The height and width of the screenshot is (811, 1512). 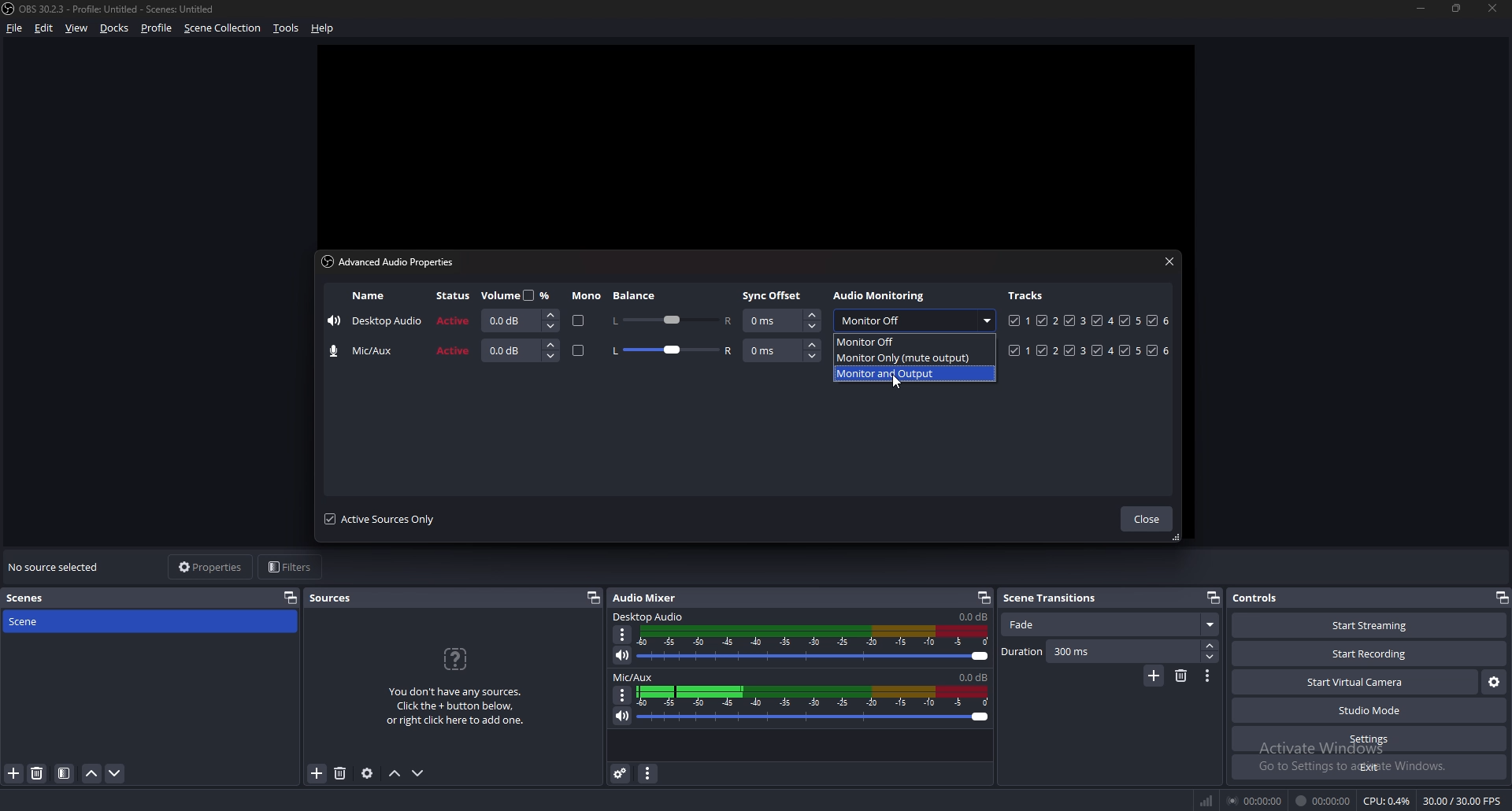 What do you see at coordinates (1323, 802) in the screenshot?
I see `00:00:00` at bounding box center [1323, 802].